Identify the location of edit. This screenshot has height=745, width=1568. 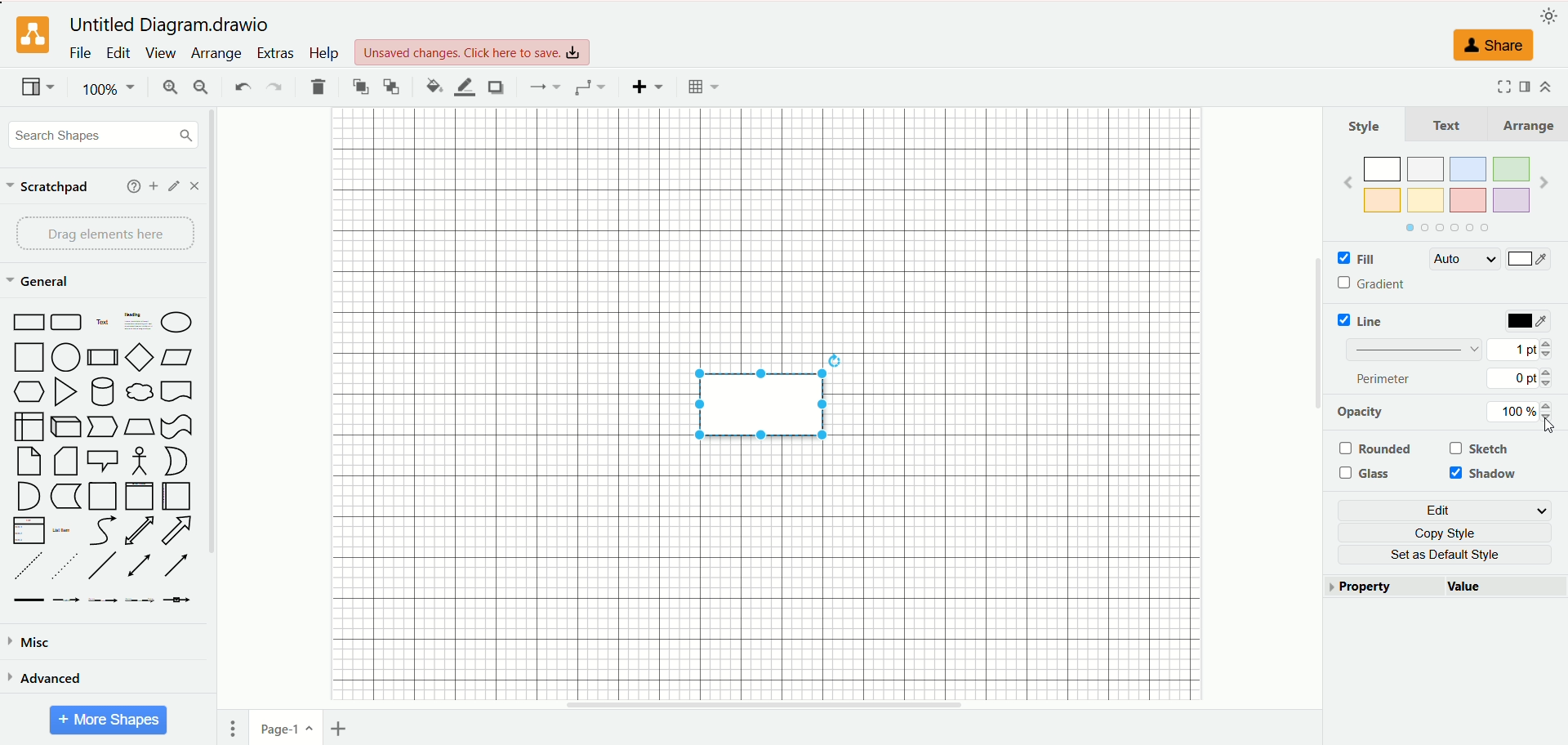
(175, 186).